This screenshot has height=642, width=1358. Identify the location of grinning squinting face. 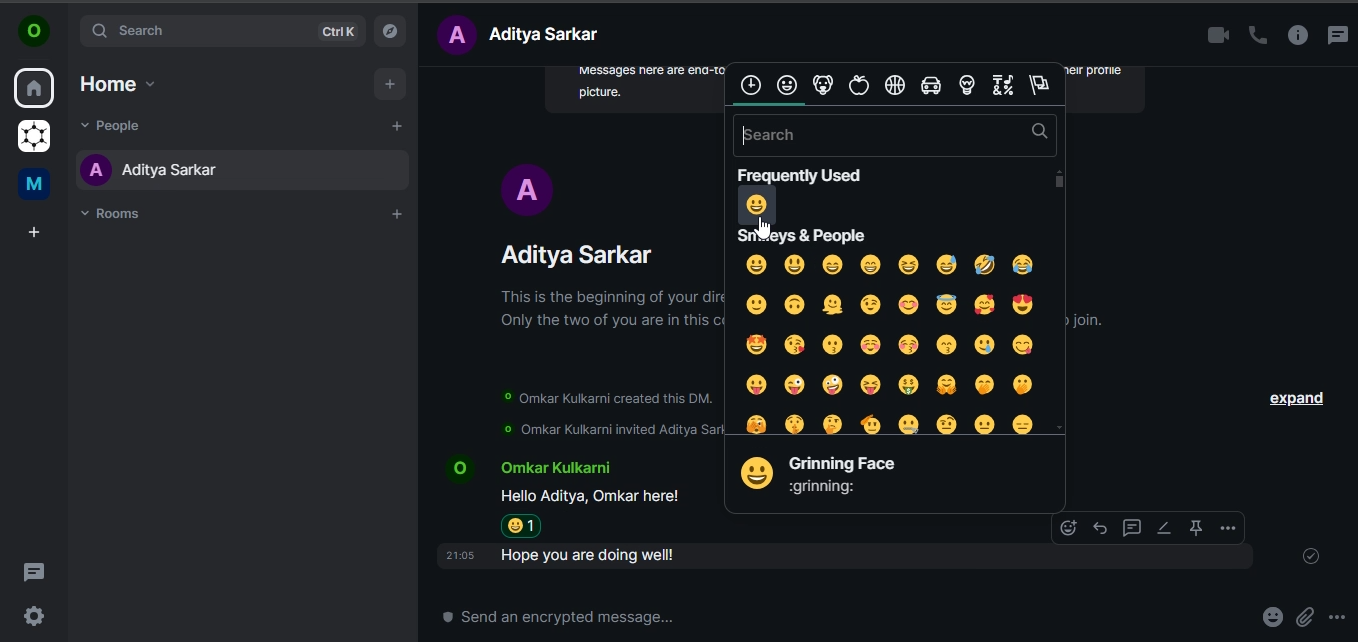
(909, 265).